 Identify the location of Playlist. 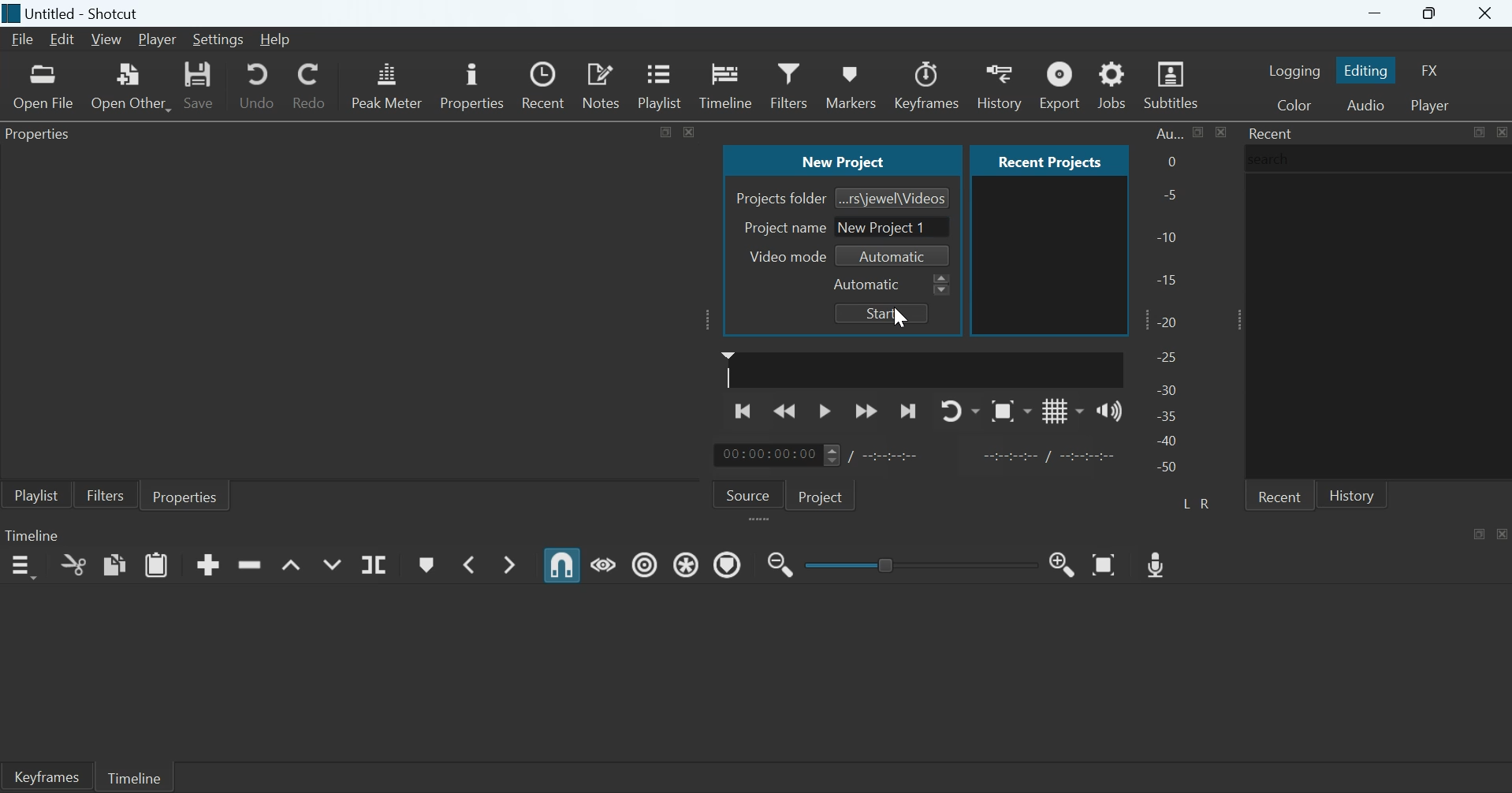
(663, 84).